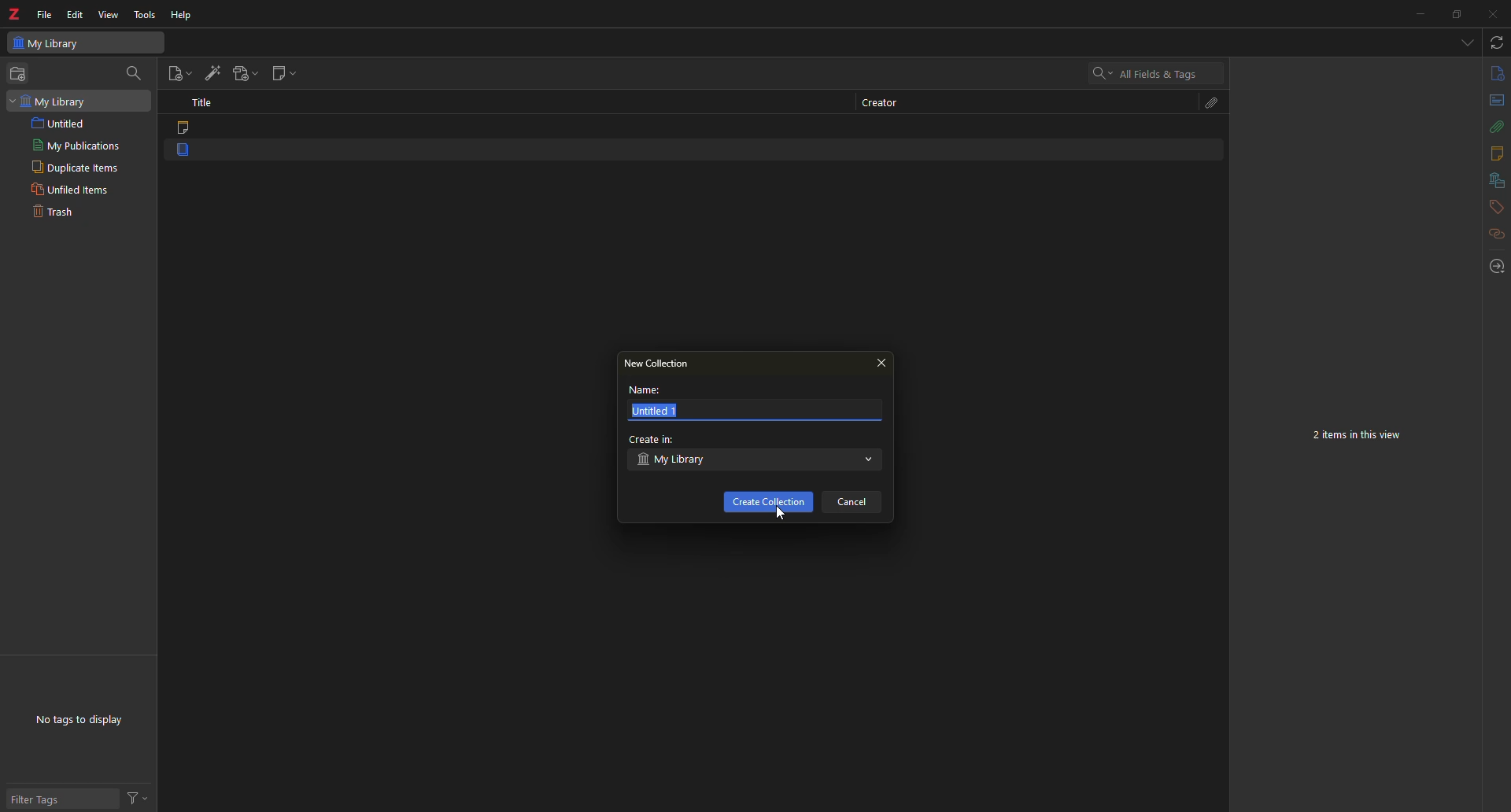 The width and height of the screenshot is (1511, 812). I want to click on trash, so click(59, 214).